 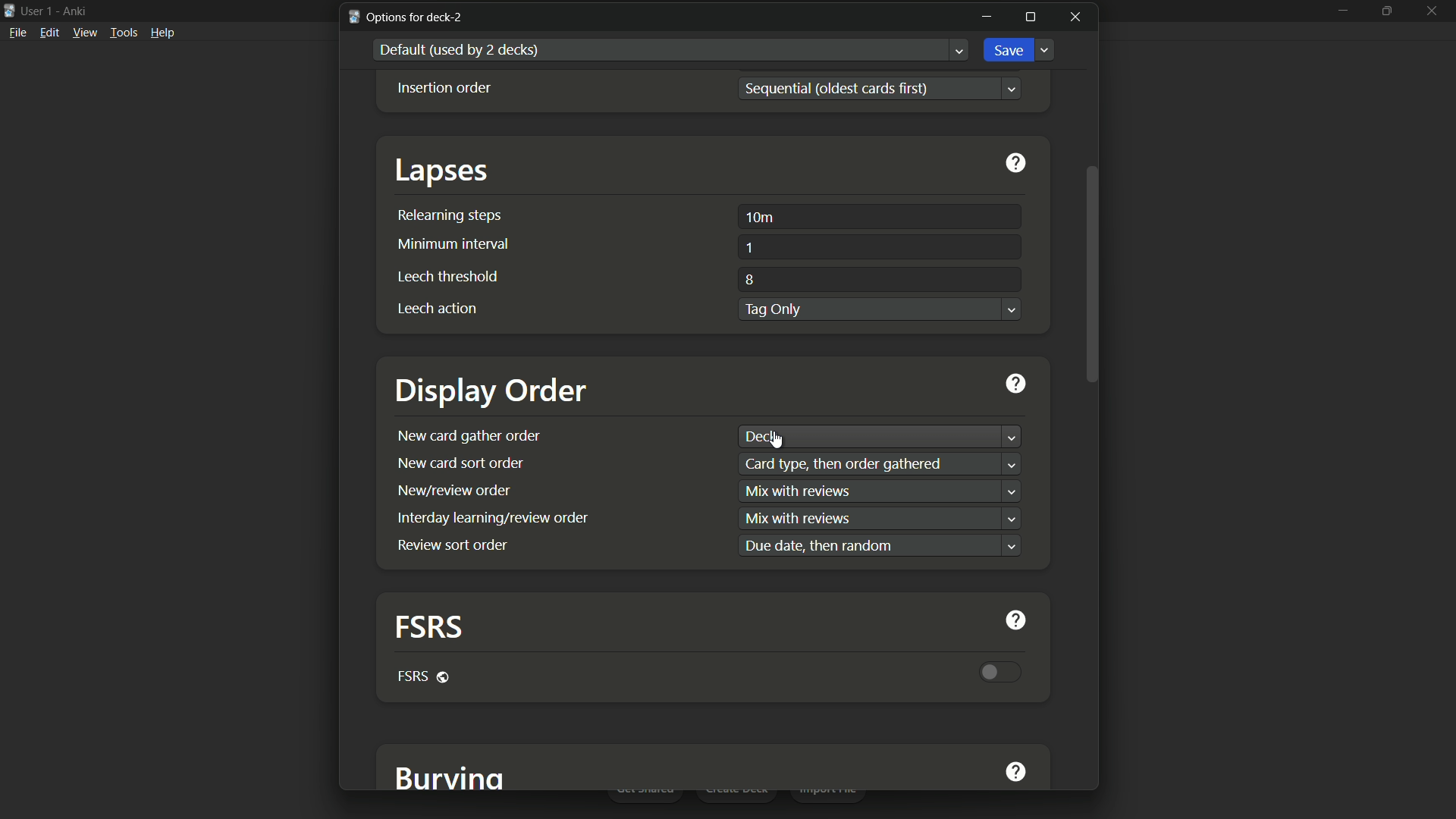 I want to click on new card gather order, so click(x=469, y=435).